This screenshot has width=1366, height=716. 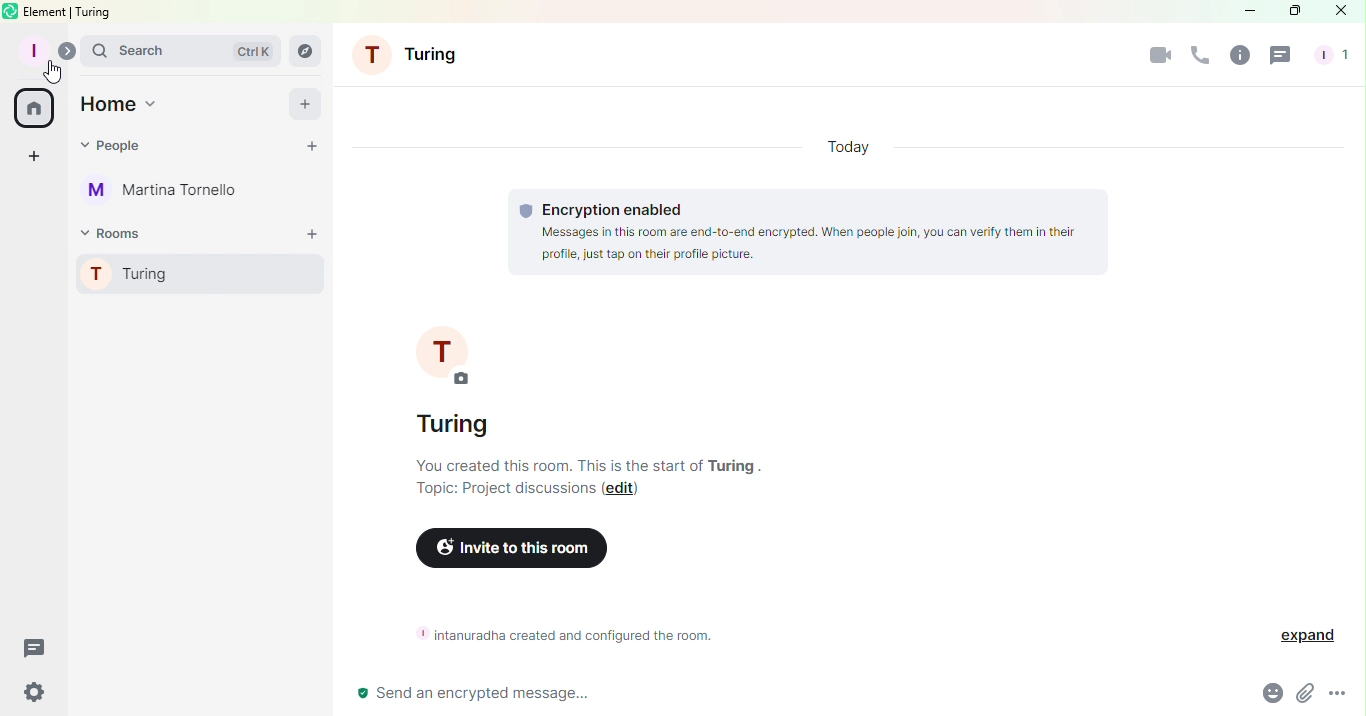 I want to click on element, so click(x=46, y=11).